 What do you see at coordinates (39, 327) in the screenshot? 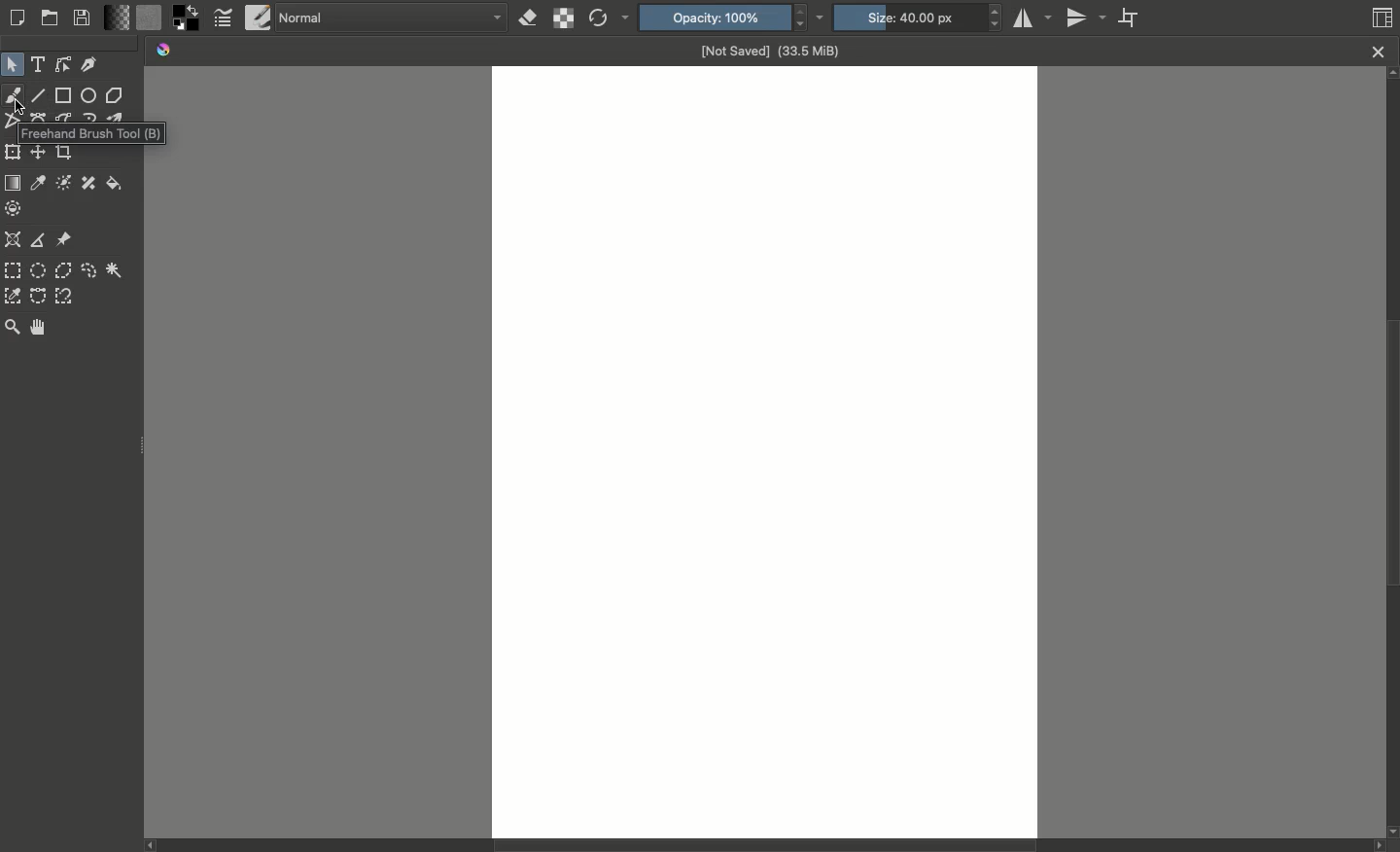
I see `Pan tool` at bounding box center [39, 327].